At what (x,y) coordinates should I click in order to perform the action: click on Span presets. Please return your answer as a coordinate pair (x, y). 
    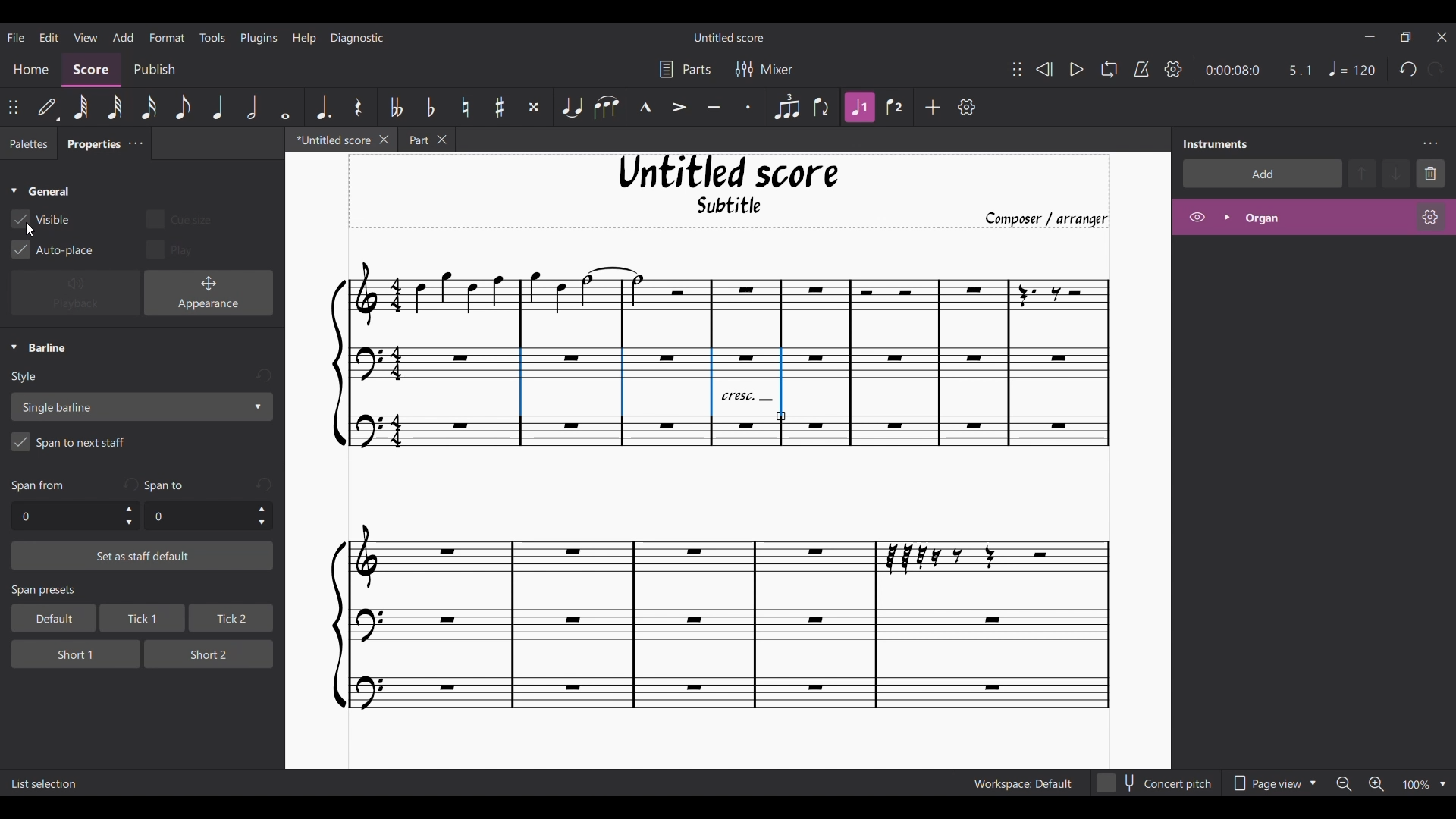
    Looking at the image, I should click on (143, 591).